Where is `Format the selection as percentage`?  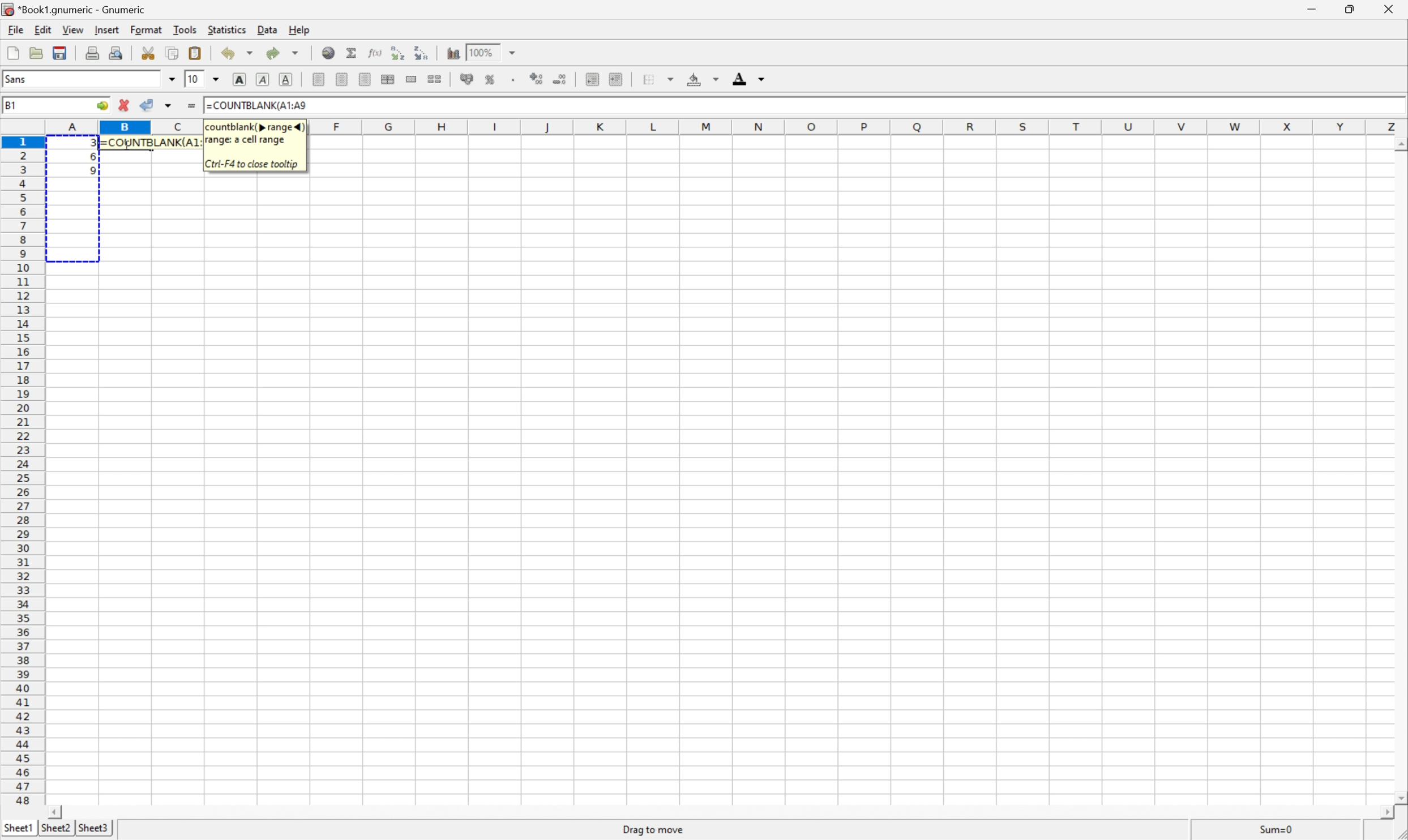 Format the selection as percentage is located at coordinates (489, 80).